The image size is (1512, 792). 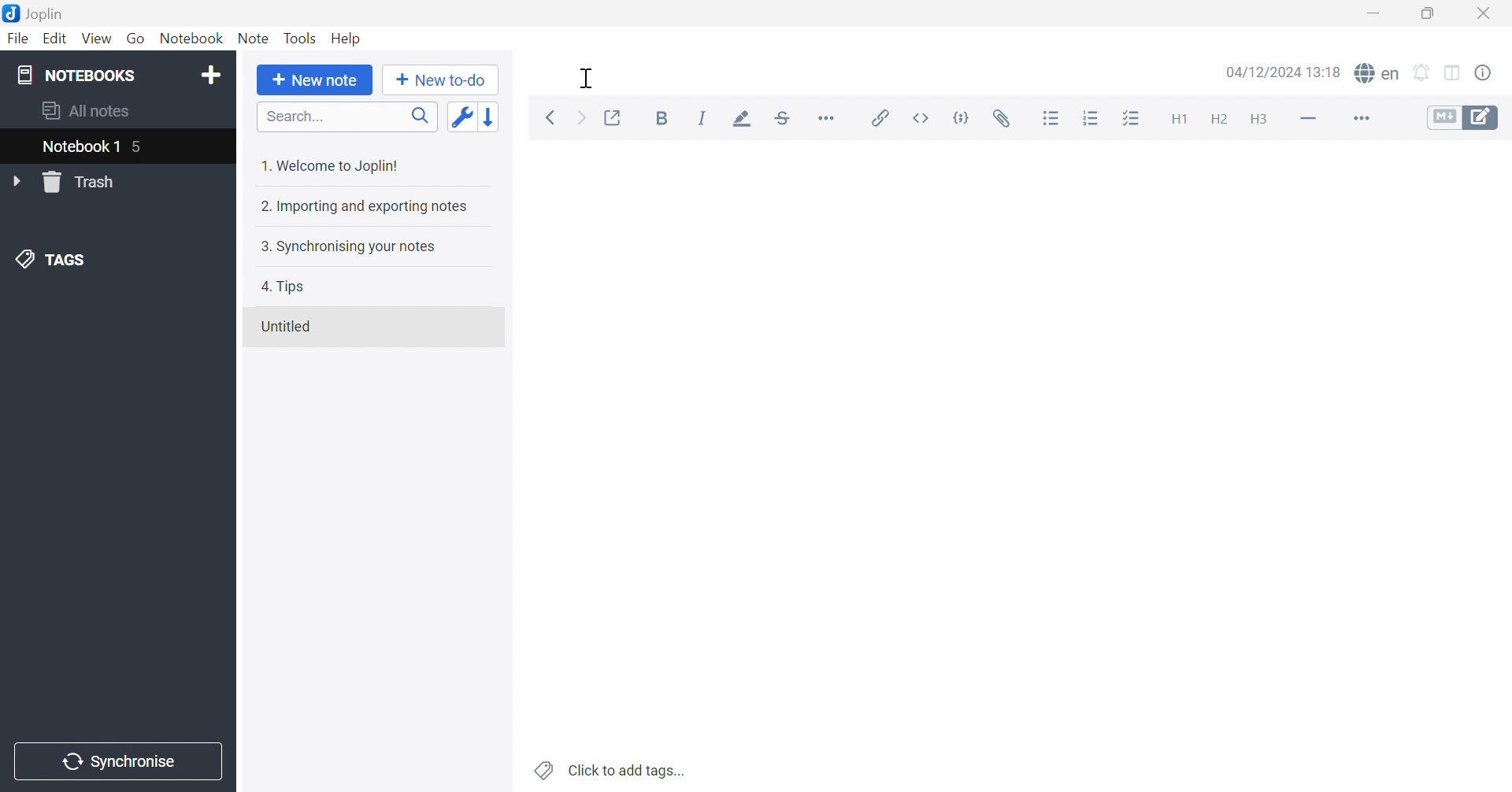 I want to click on 04/12/2024 12:18, so click(x=1284, y=72).